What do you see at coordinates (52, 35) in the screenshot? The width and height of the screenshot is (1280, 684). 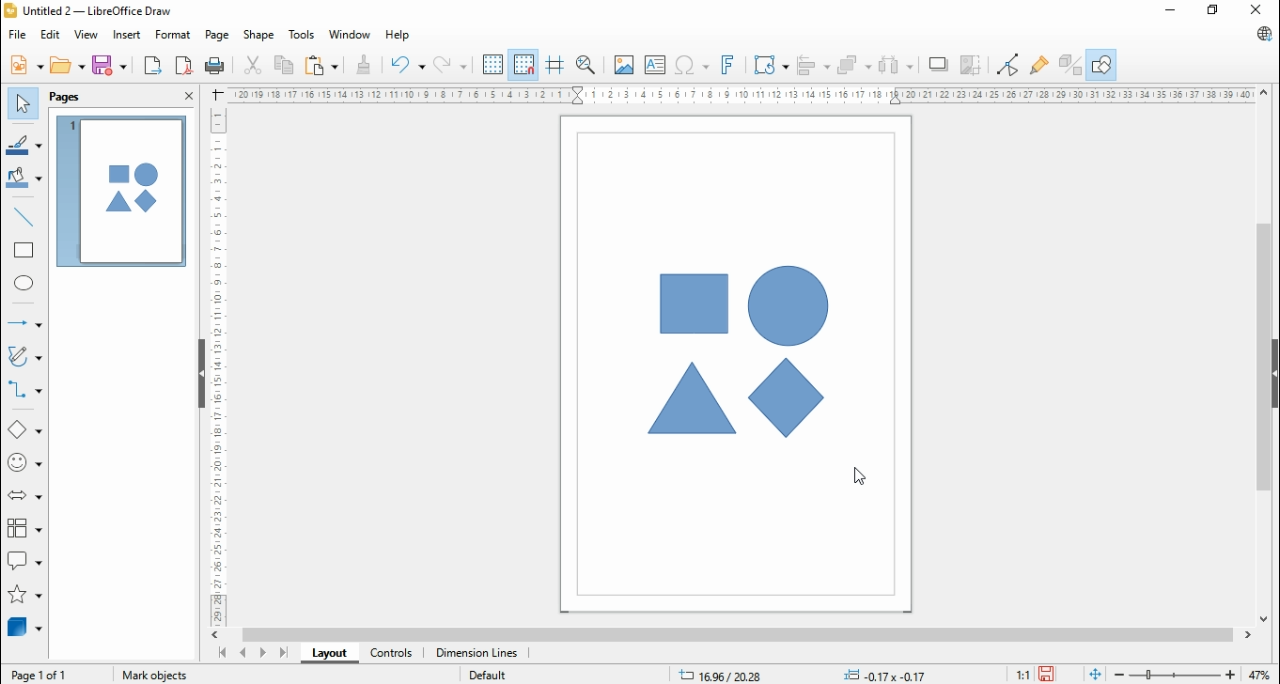 I see `edit` at bounding box center [52, 35].